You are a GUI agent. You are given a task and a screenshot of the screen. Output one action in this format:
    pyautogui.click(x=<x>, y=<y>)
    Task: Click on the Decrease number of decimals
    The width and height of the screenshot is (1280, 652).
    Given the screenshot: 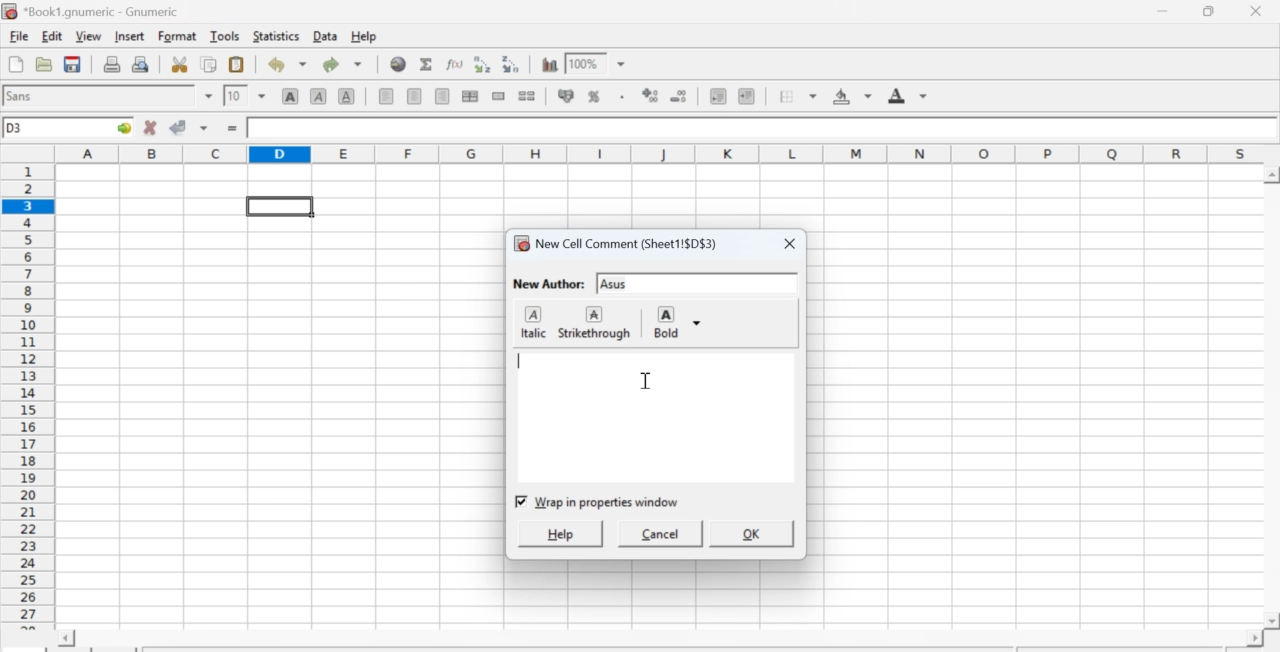 What is the action you would take?
    pyautogui.click(x=678, y=96)
    